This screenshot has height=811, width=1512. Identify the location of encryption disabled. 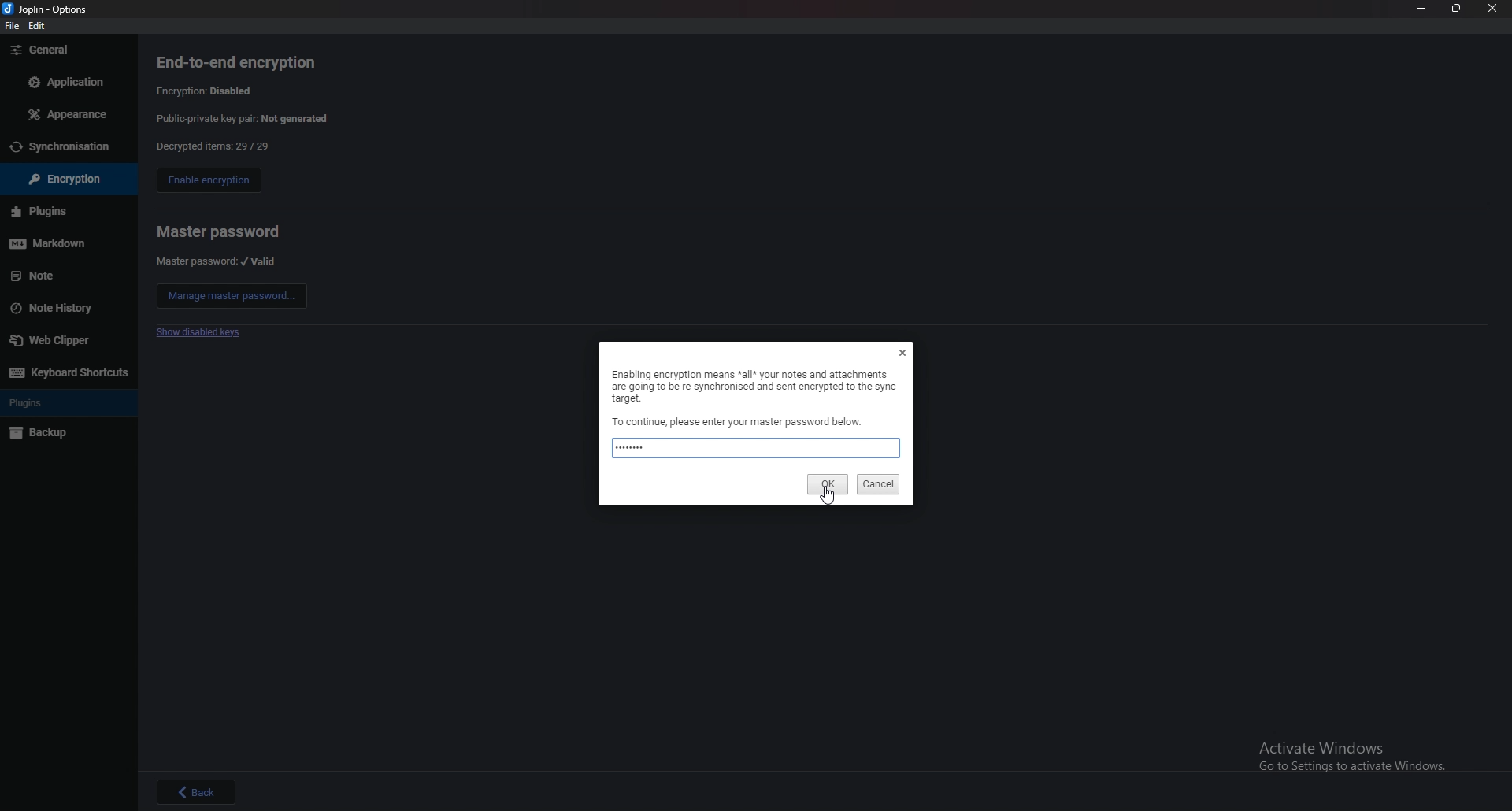
(209, 91).